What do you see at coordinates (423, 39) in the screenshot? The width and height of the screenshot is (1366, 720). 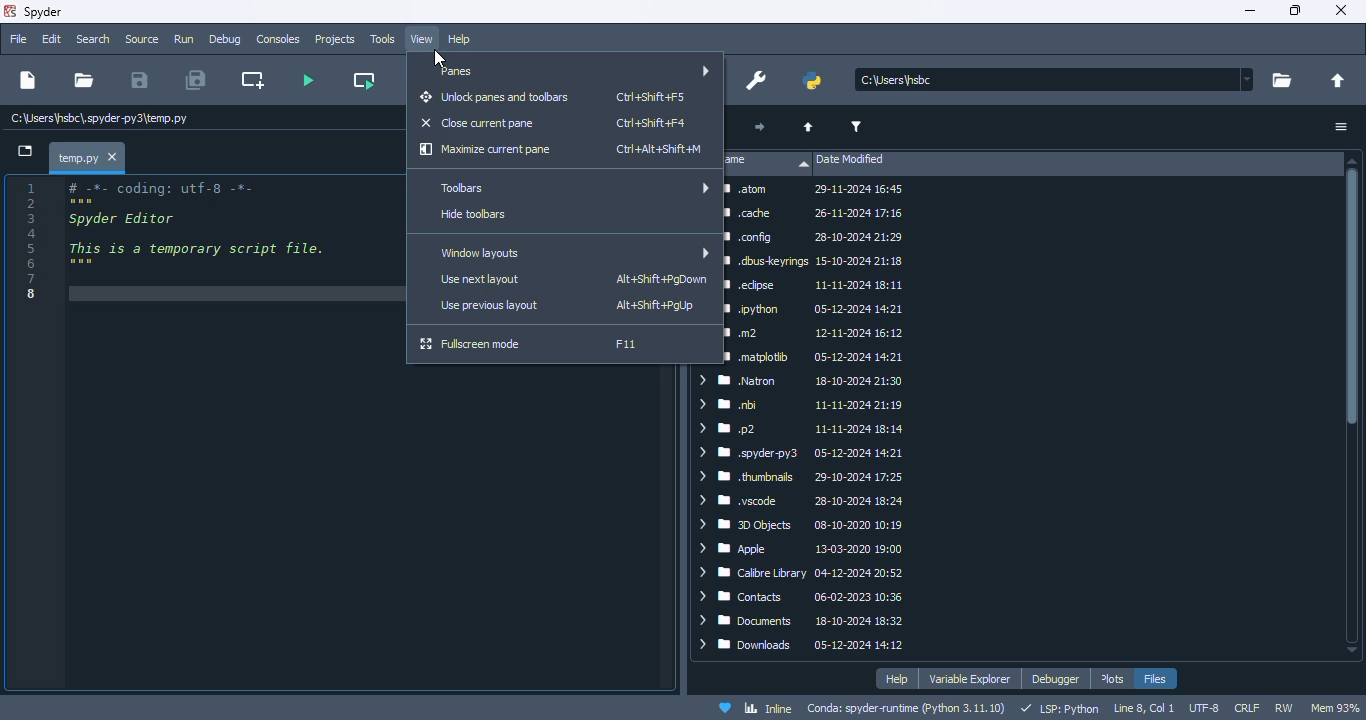 I see `view` at bounding box center [423, 39].